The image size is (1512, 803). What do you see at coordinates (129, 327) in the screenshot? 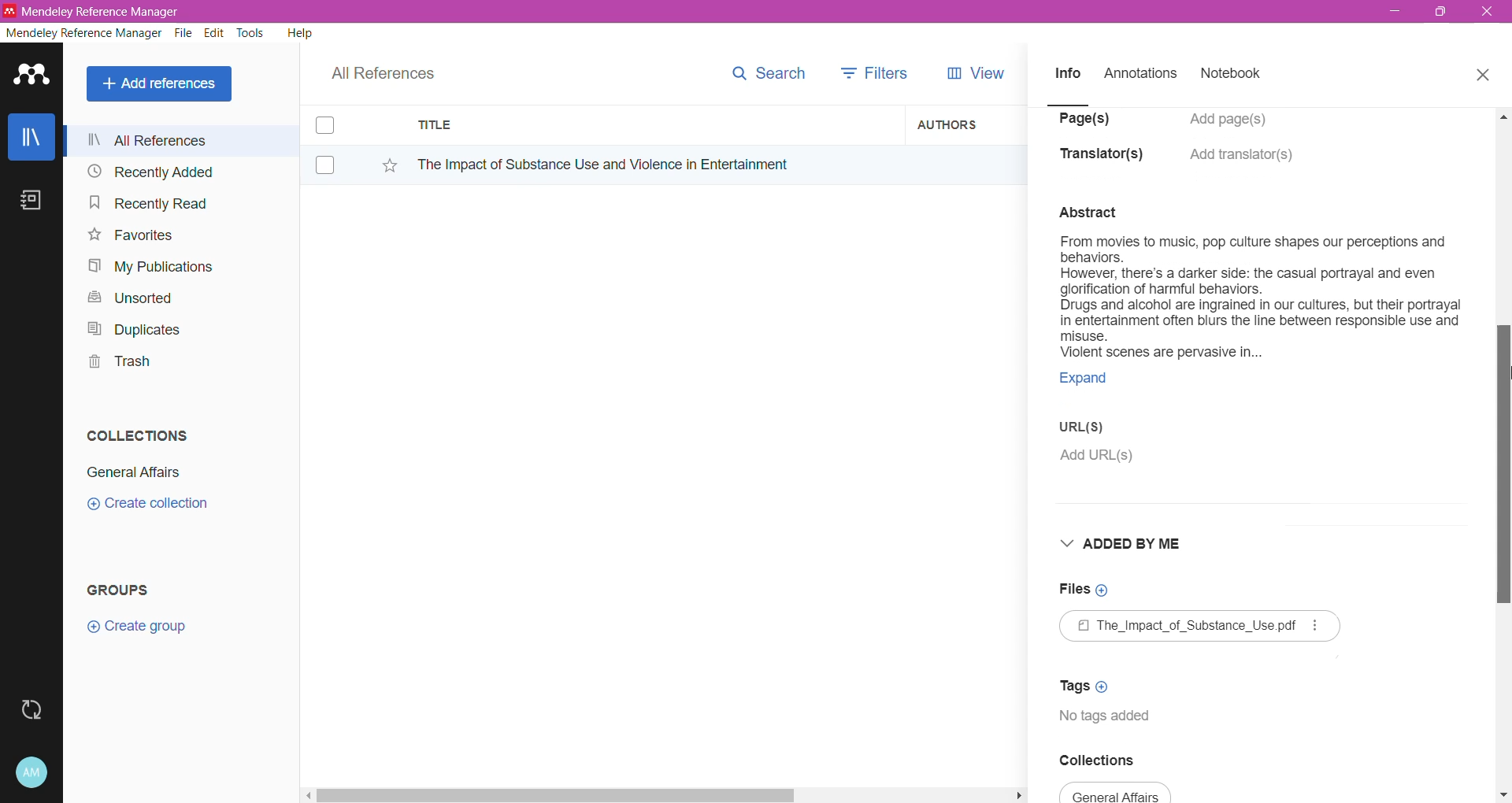
I see `Duplicates` at bounding box center [129, 327].